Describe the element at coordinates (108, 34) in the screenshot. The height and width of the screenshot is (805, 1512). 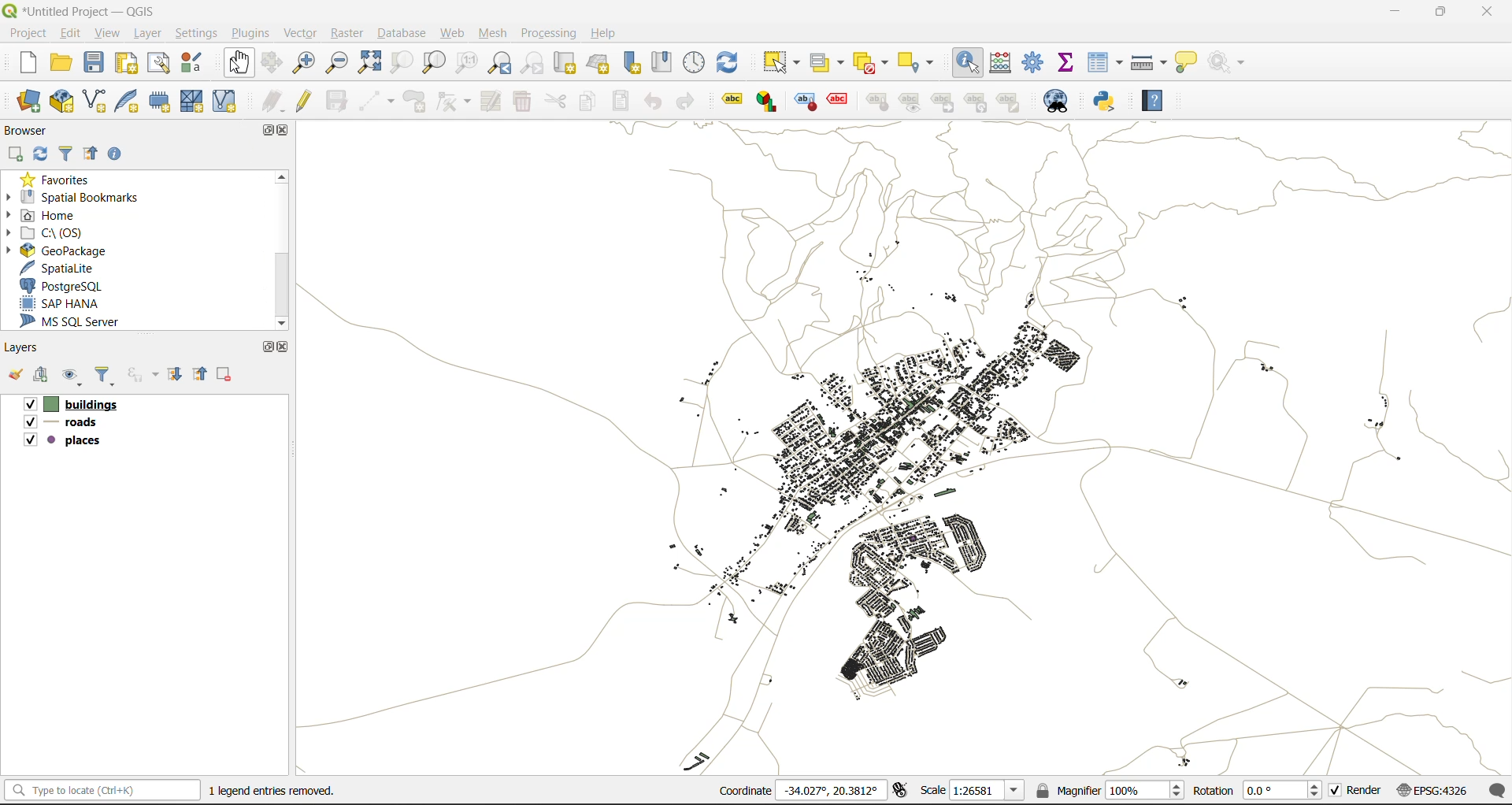
I see `view` at that location.